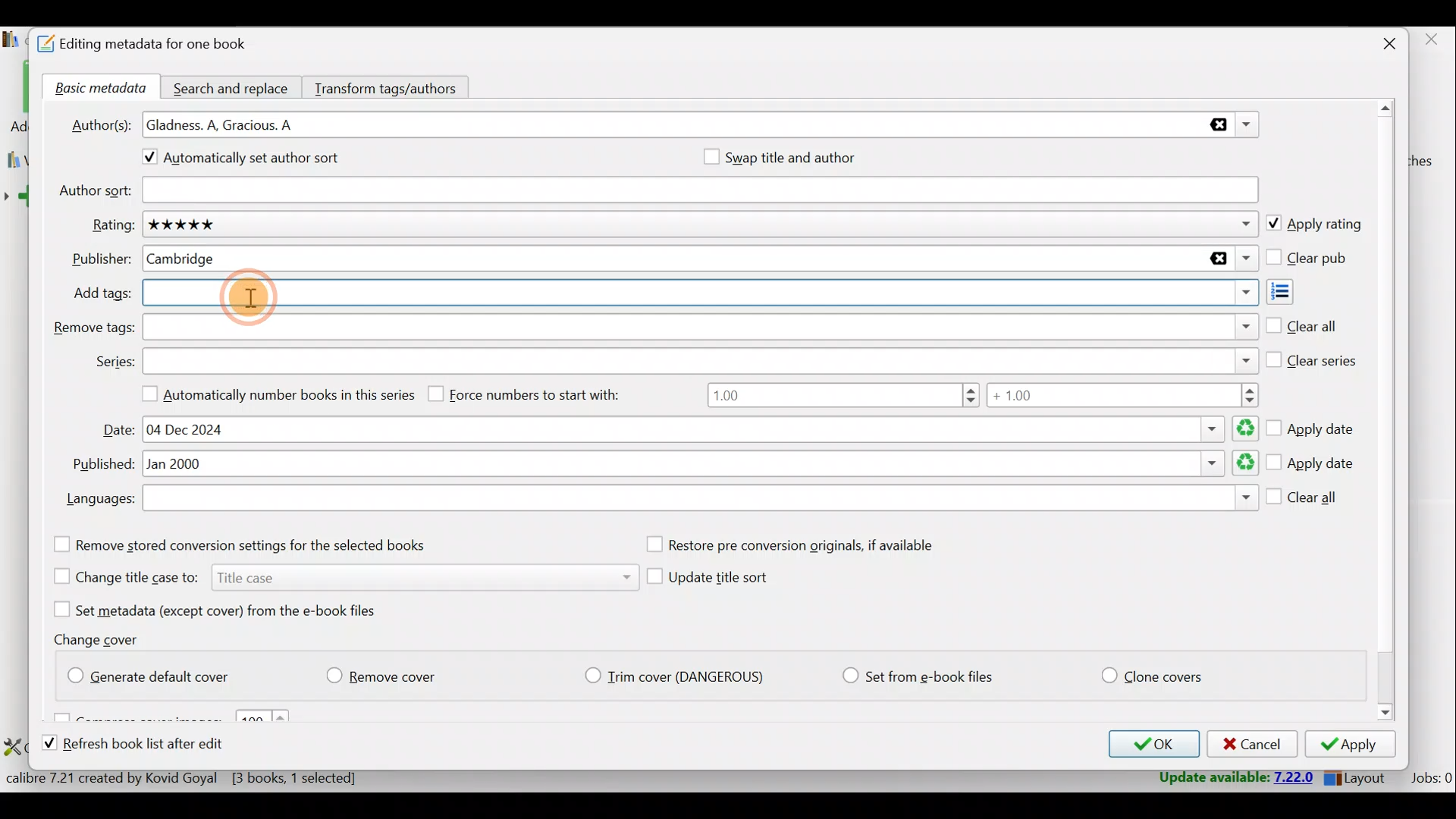 The image size is (1456, 819). What do you see at coordinates (703, 227) in the screenshot?
I see `Rating` at bounding box center [703, 227].